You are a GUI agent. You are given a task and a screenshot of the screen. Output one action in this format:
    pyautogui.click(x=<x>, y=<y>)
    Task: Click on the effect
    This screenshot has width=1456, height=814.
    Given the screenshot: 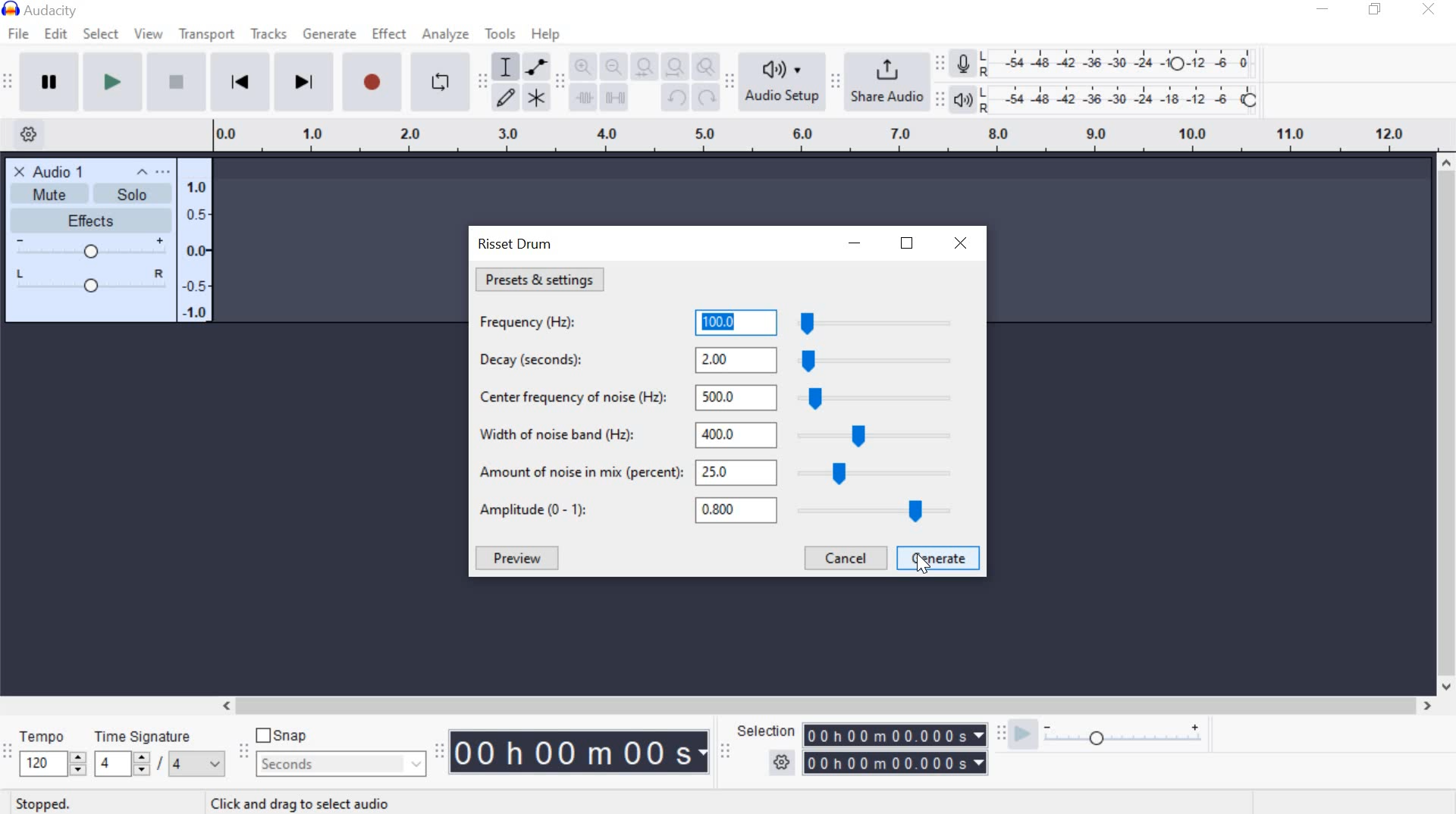 What is the action you would take?
    pyautogui.click(x=390, y=35)
    